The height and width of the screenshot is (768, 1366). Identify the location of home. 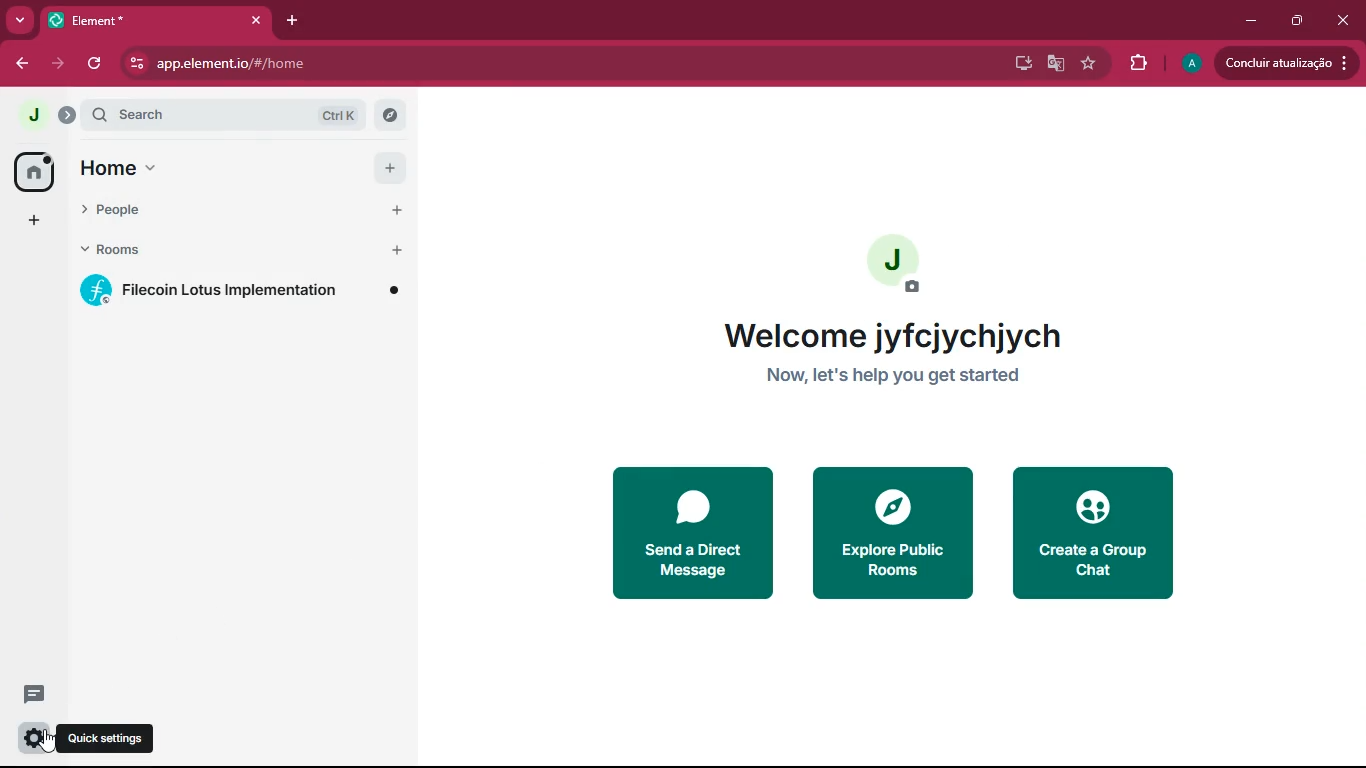
(220, 170).